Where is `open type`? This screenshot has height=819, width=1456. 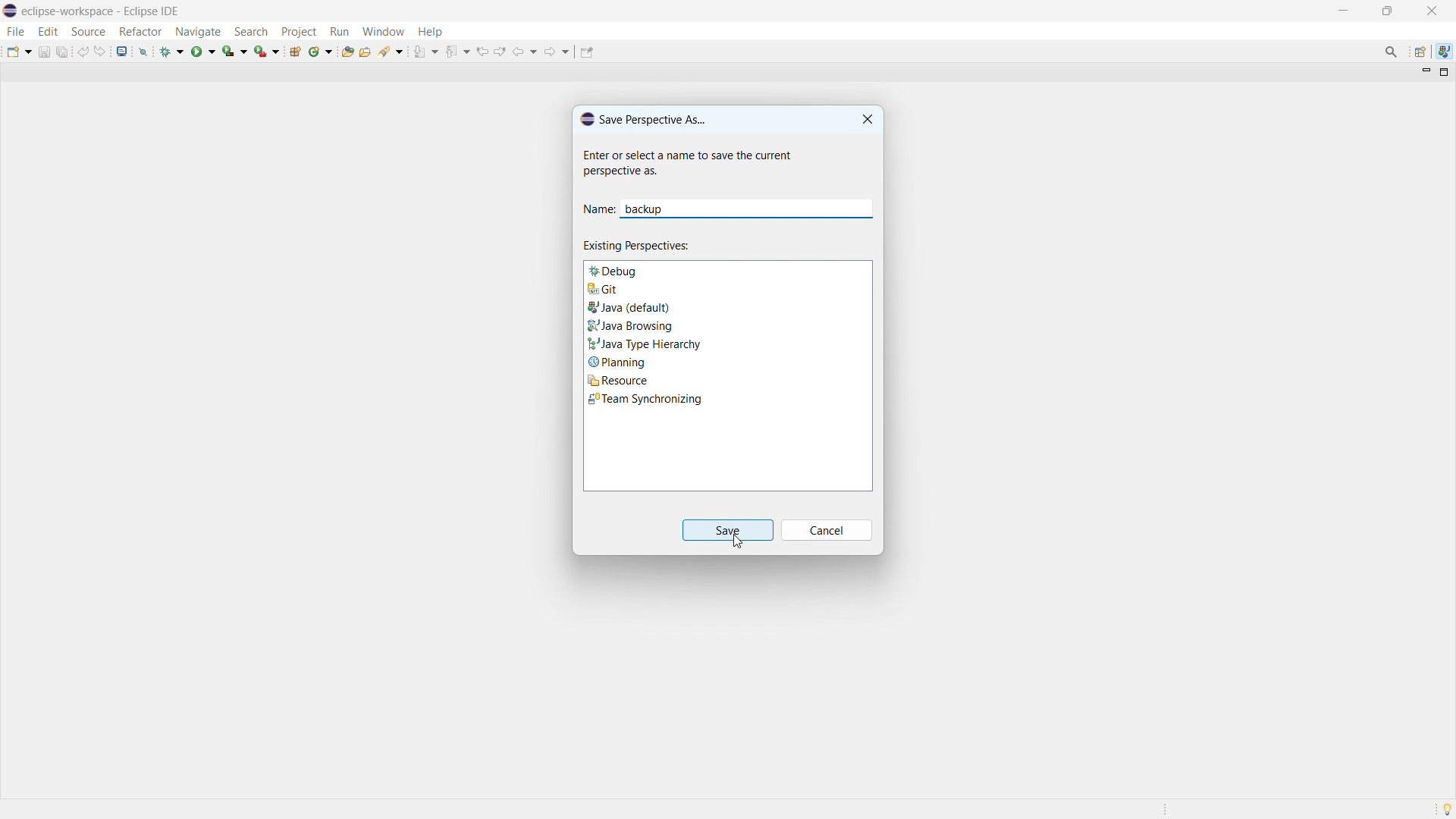
open type is located at coordinates (347, 52).